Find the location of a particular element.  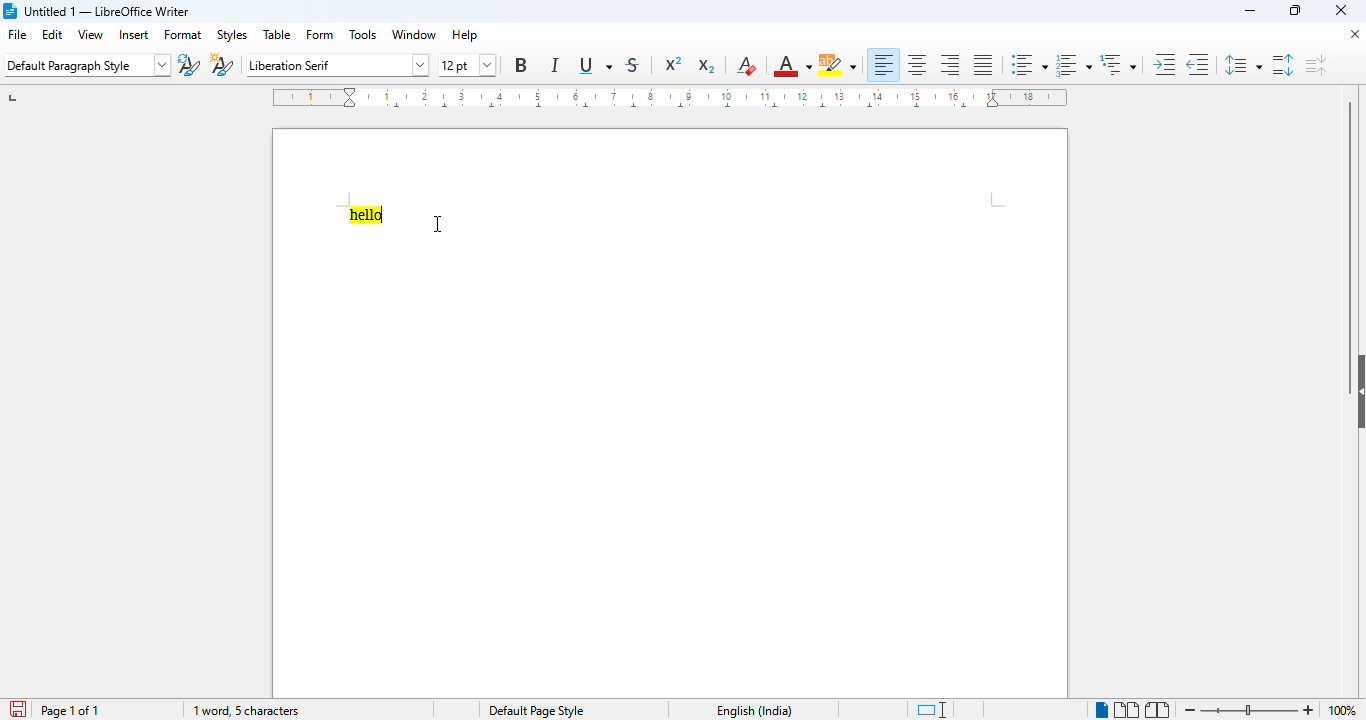

clear direct formatting is located at coordinates (747, 65).